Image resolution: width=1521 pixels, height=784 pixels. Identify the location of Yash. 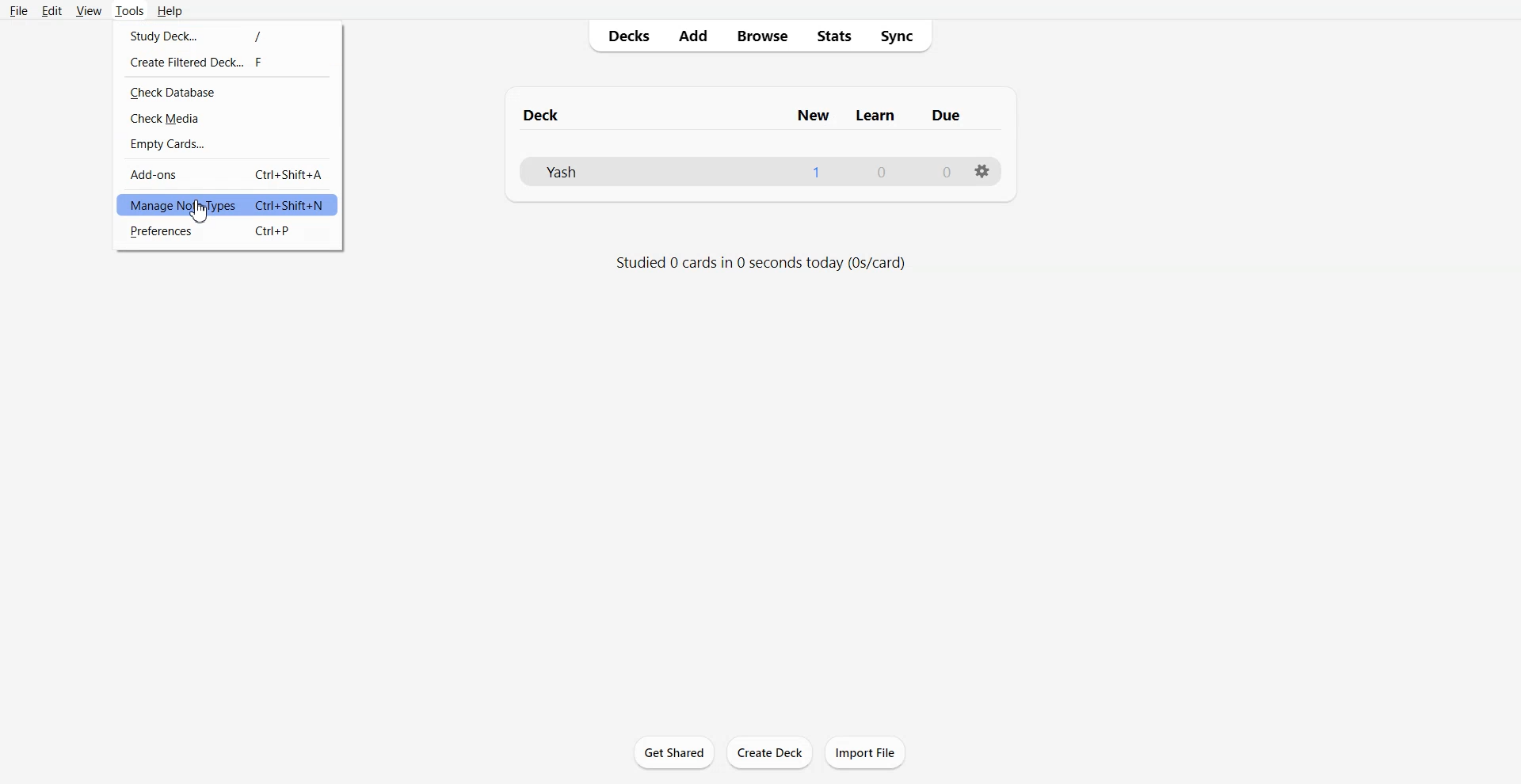
(562, 171).